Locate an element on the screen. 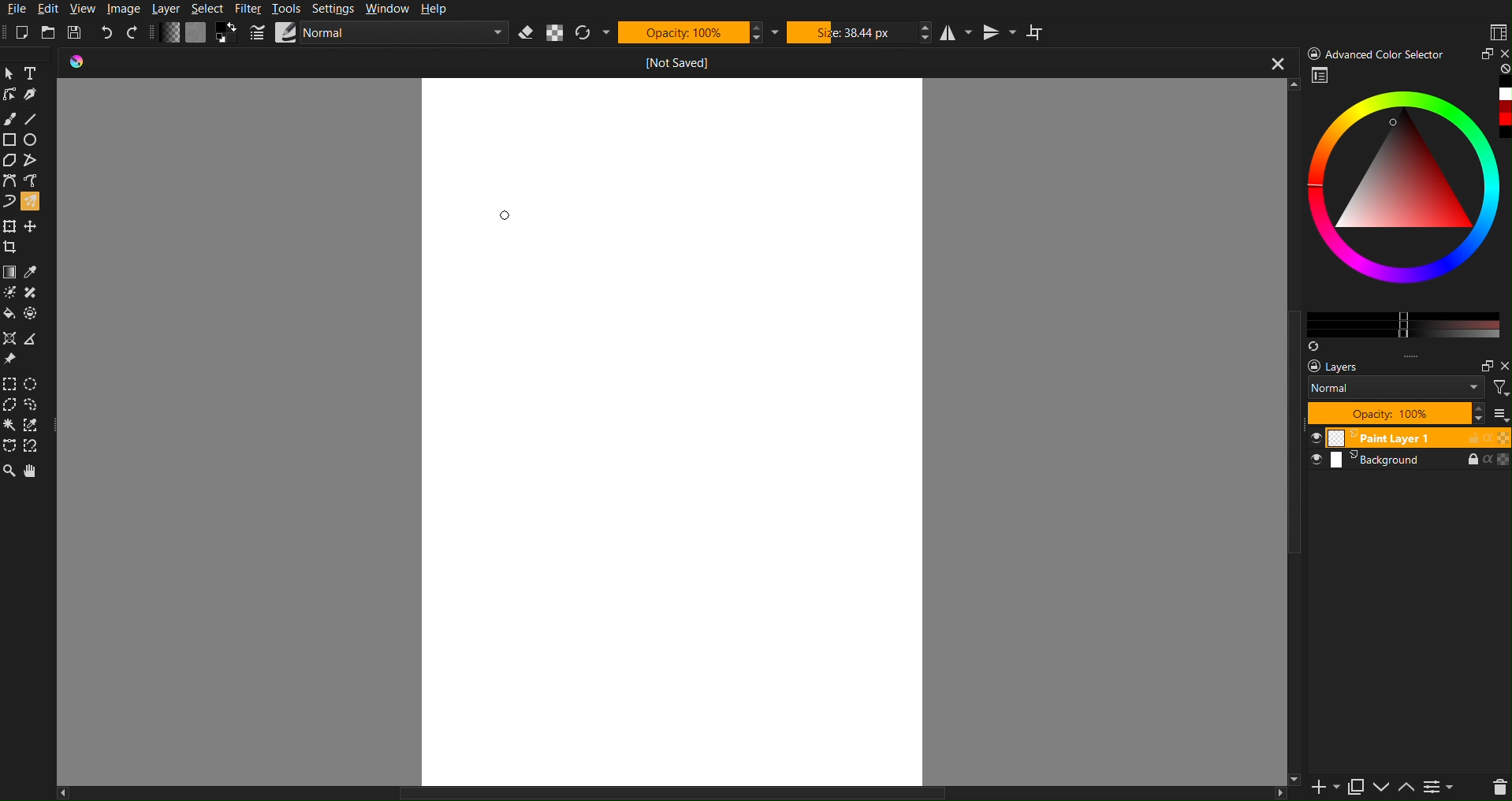 The image size is (1512, 801). Alpha is located at coordinates (559, 34).